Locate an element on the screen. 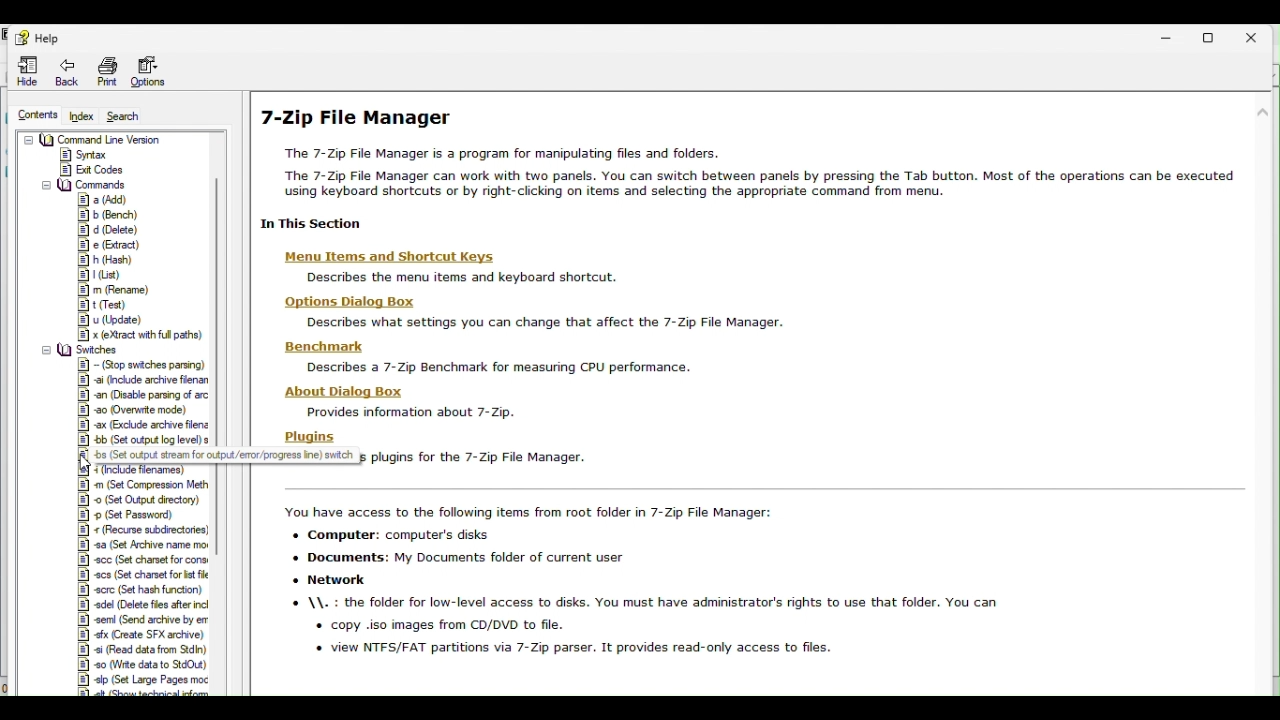 The width and height of the screenshot is (1280, 720). options dialog box is located at coordinates (354, 303).